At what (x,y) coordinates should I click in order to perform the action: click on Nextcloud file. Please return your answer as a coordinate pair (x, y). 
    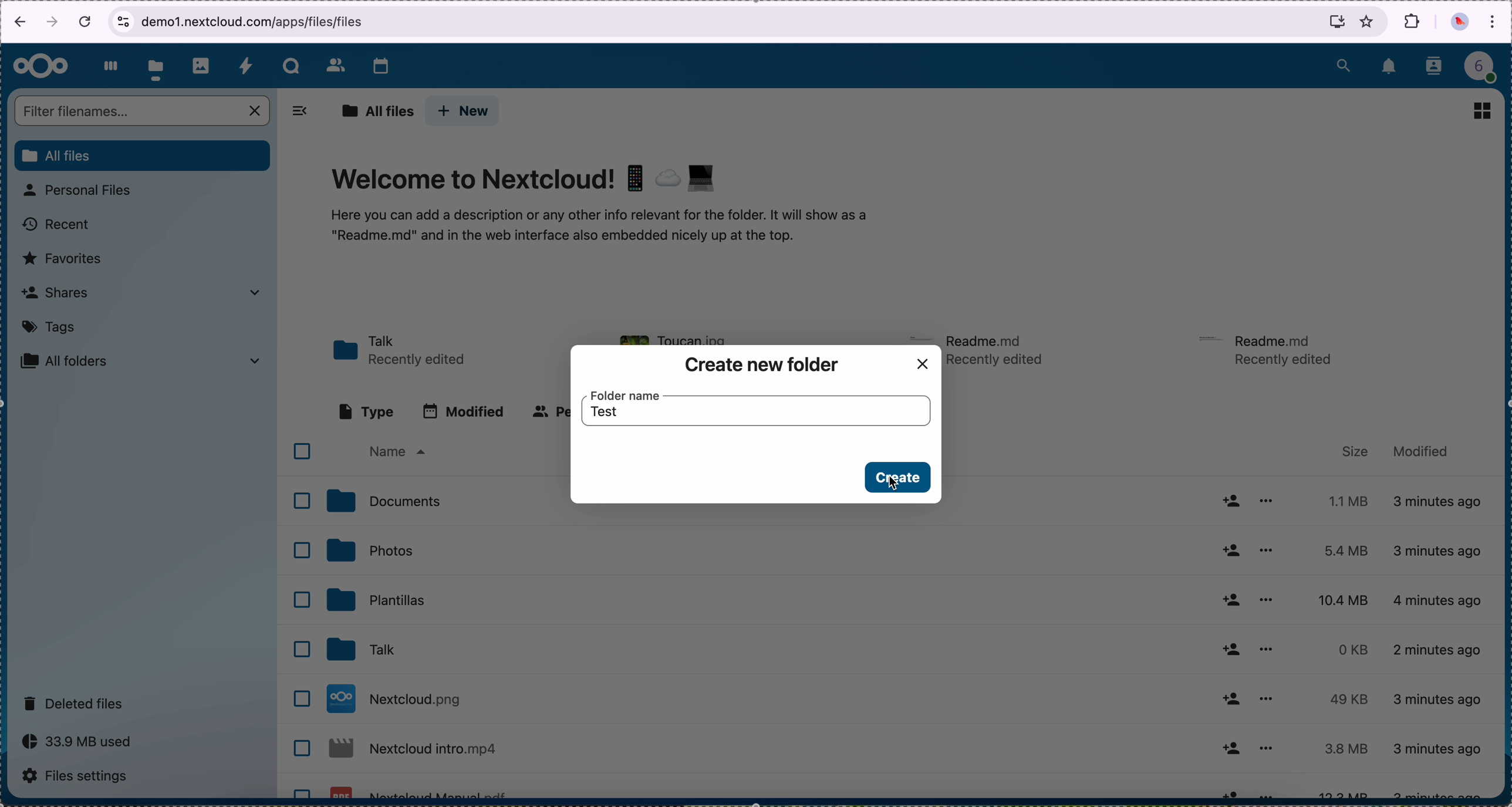
    Looking at the image, I should click on (398, 698).